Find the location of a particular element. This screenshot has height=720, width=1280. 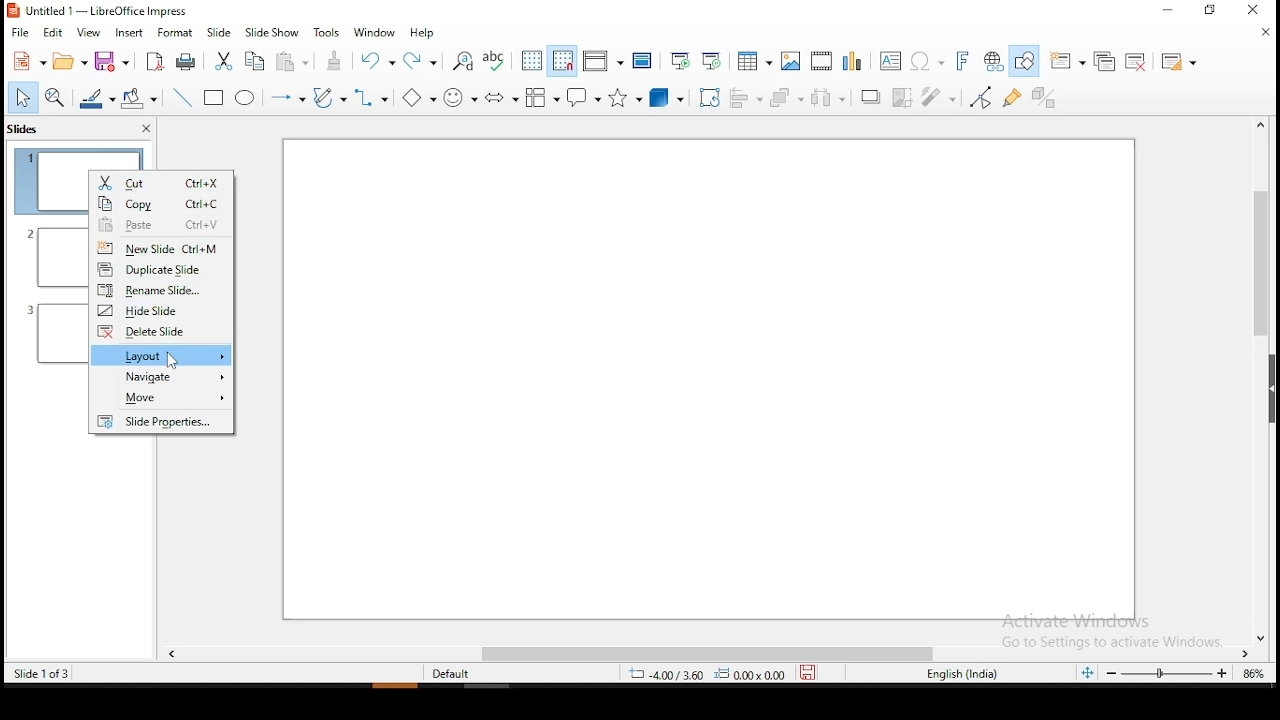

select tool is located at coordinates (22, 99).